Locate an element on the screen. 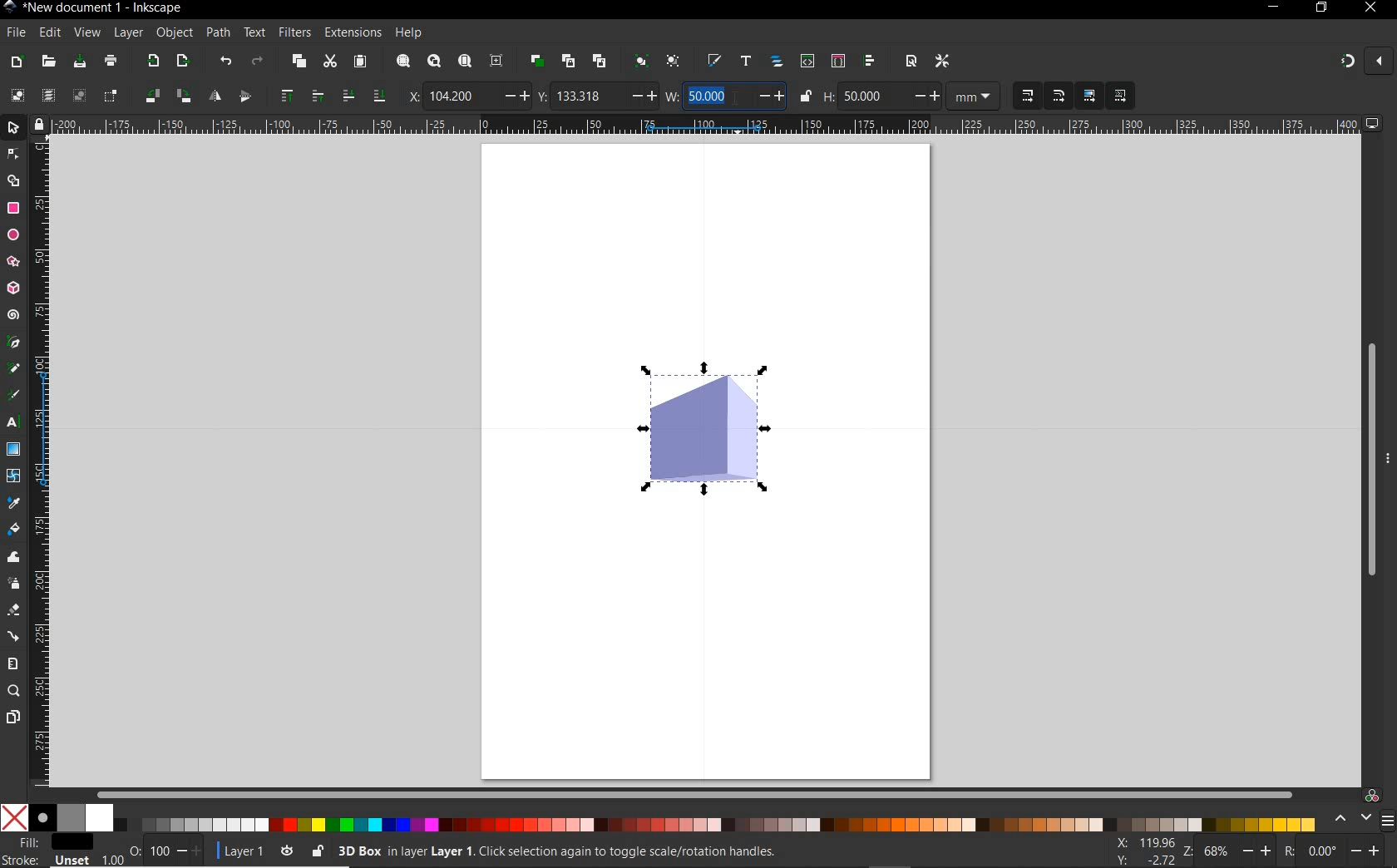  selector tool is located at coordinates (14, 128).